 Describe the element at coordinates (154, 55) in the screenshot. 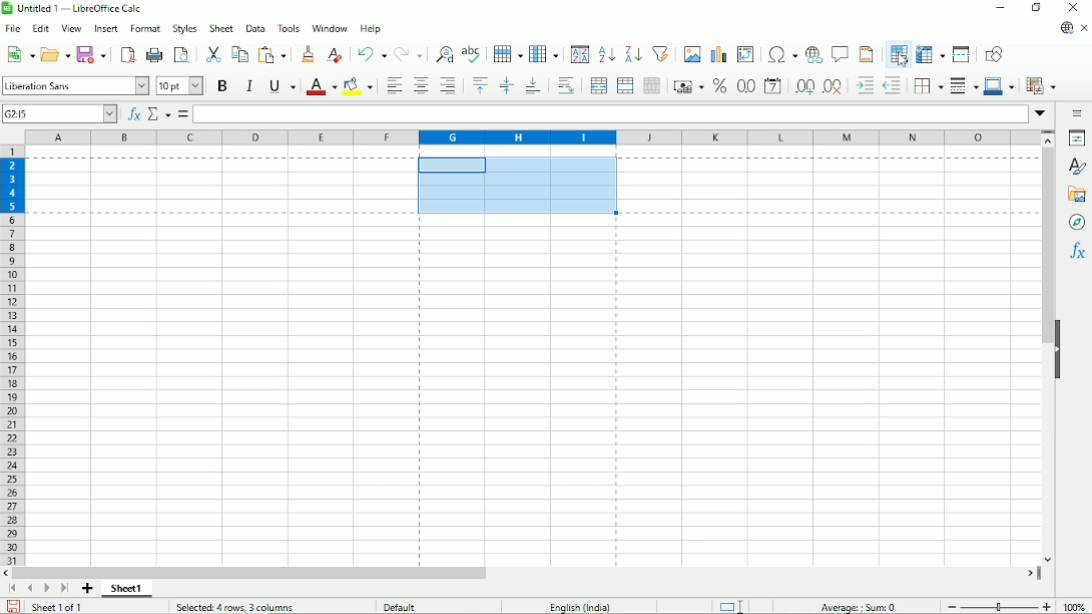

I see `Print` at that location.